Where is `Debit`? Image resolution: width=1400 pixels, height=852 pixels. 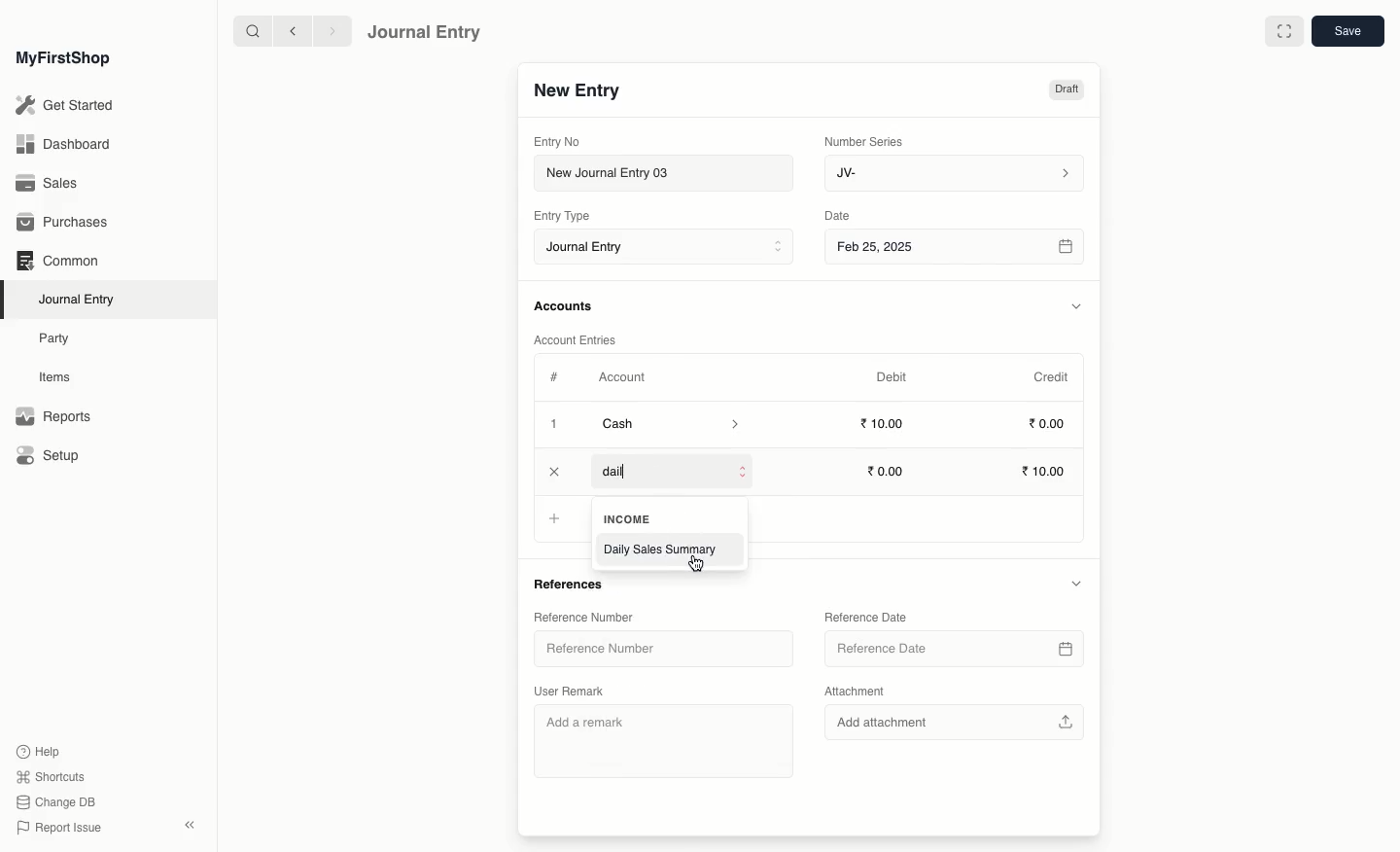
Debit is located at coordinates (892, 376).